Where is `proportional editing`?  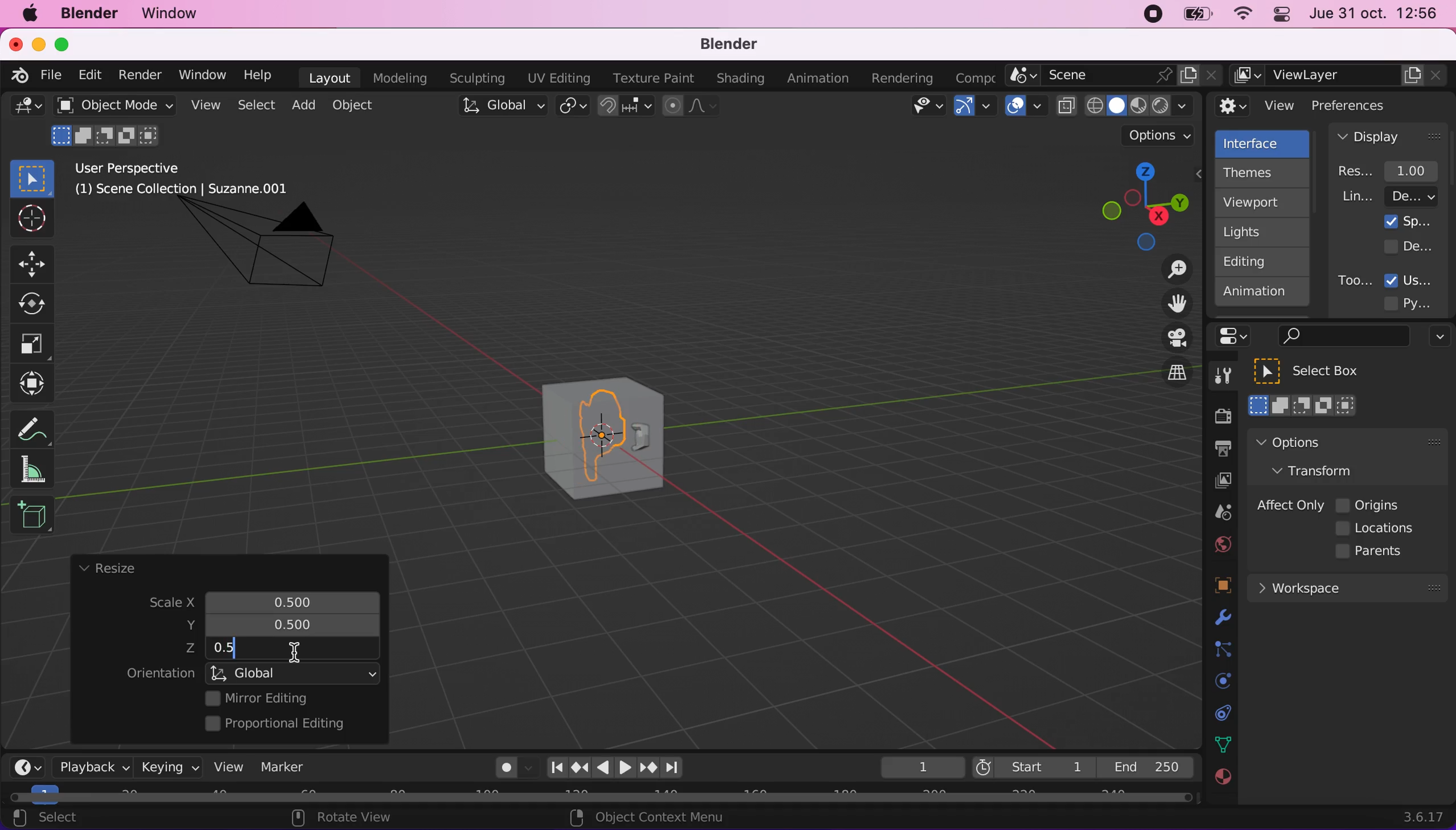
proportional editing is located at coordinates (283, 725).